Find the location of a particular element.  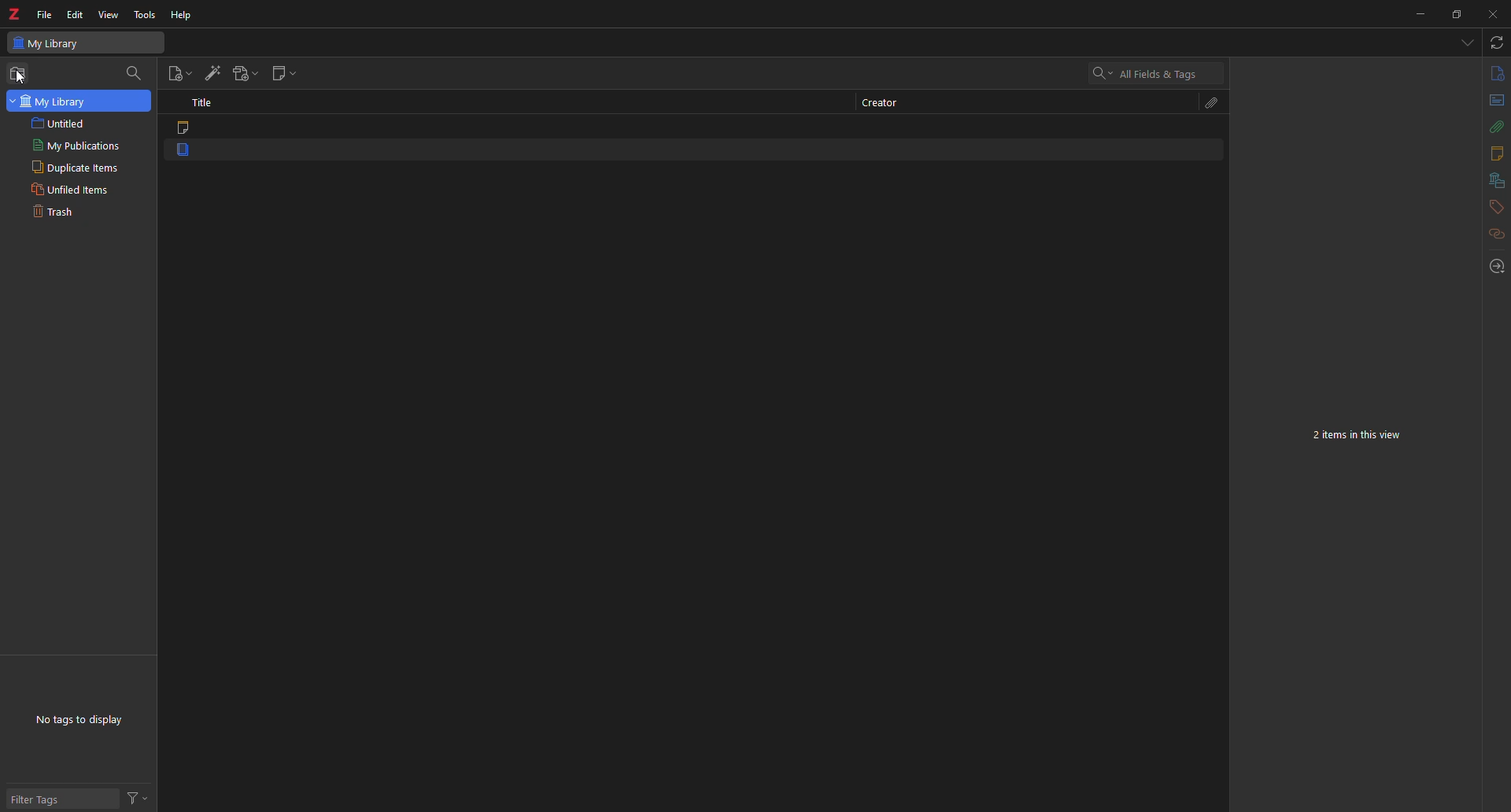

maximize is located at coordinates (1457, 14).